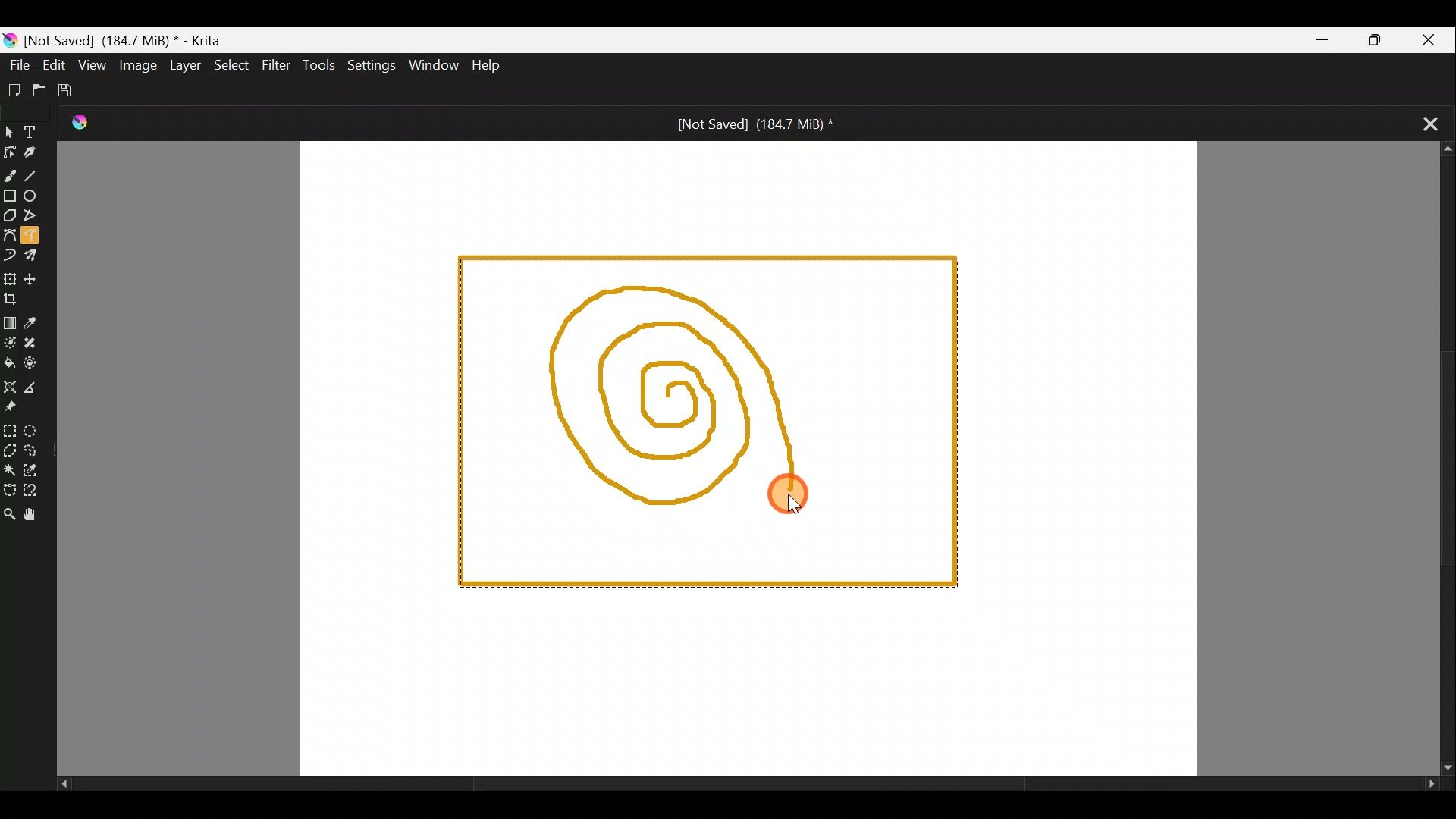 The image size is (1456, 819). I want to click on Reference images tool, so click(17, 408).